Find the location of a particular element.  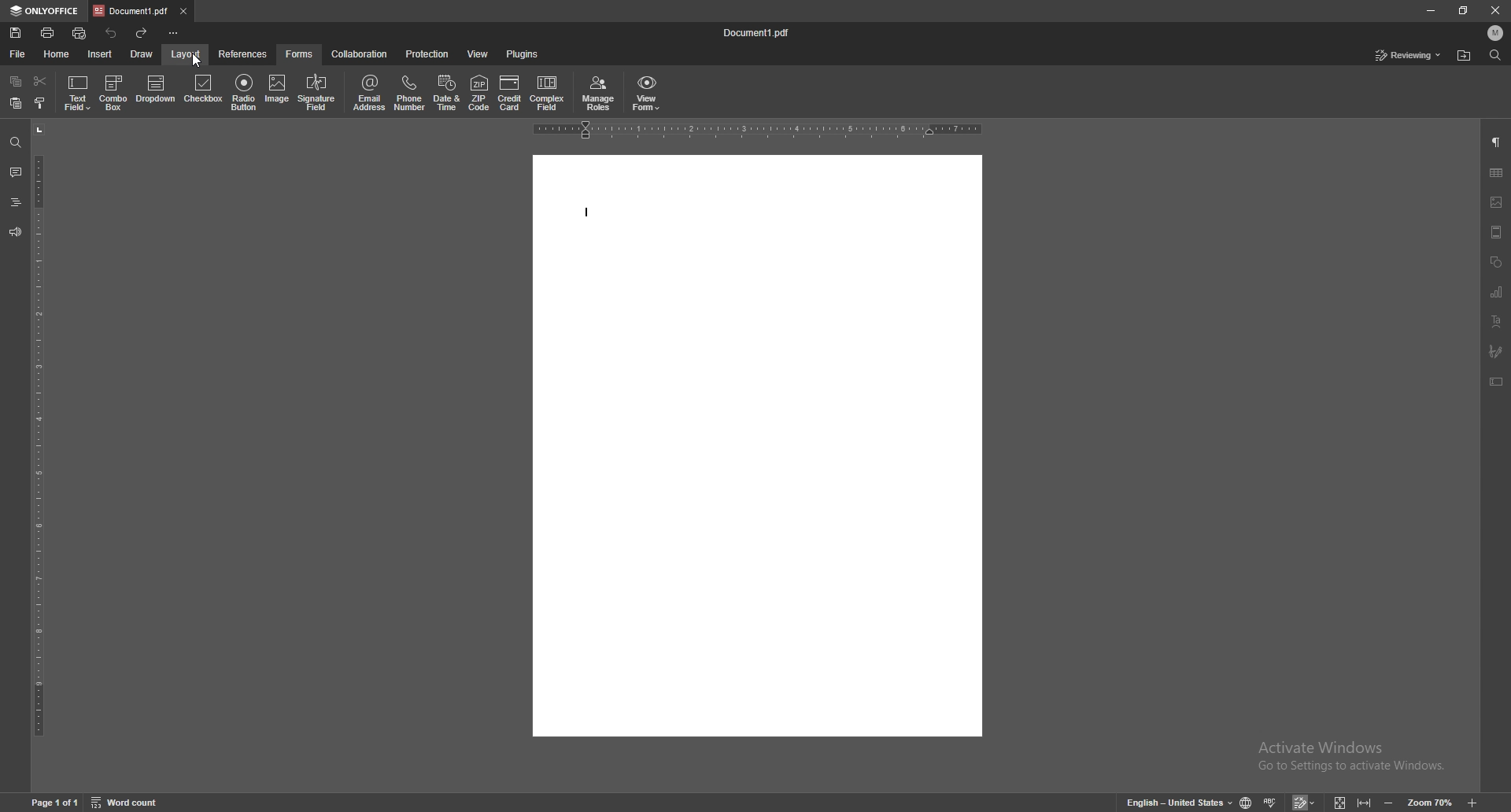

resize is located at coordinates (1463, 11).